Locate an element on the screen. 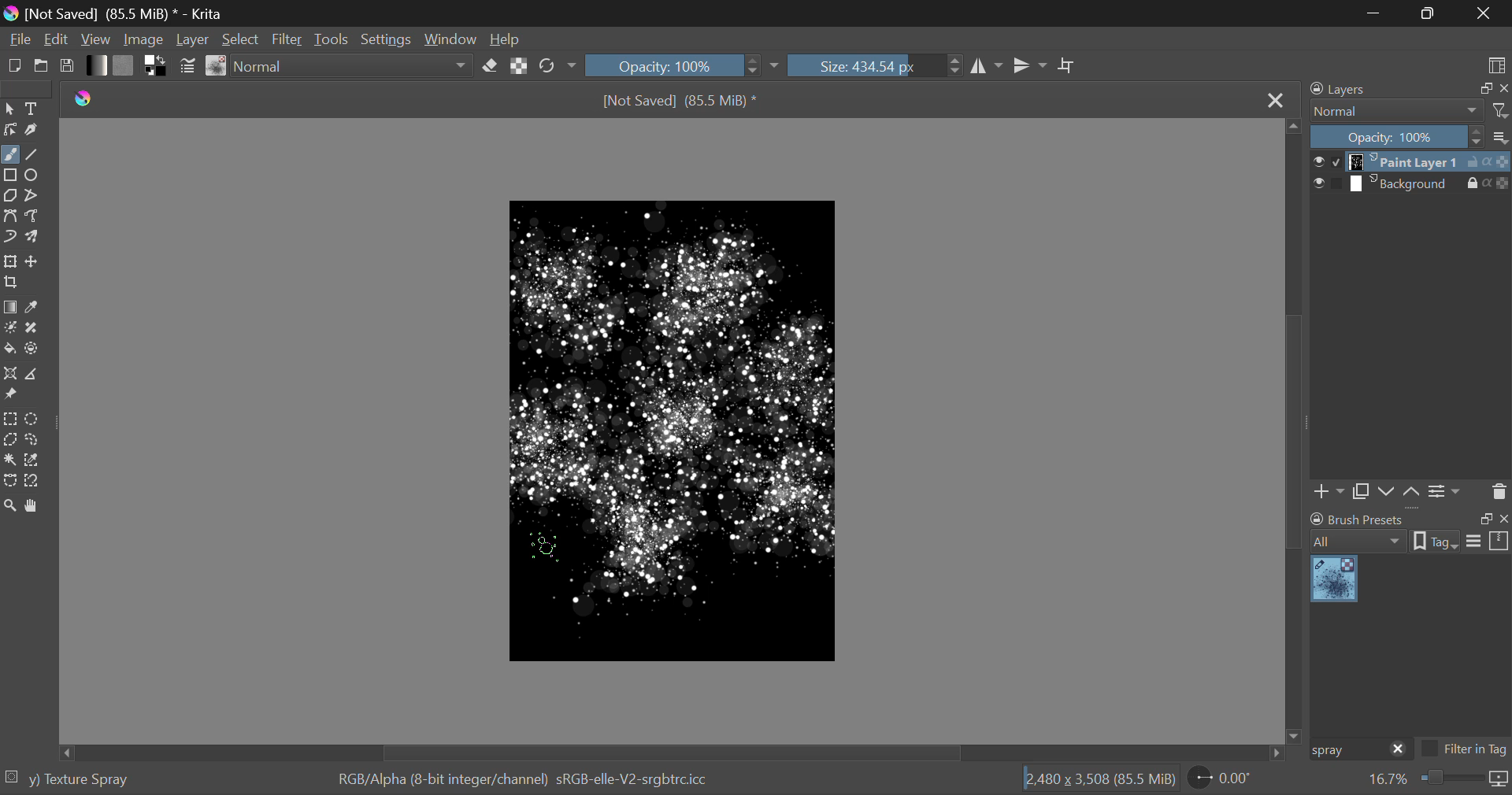 This screenshot has width=1512, height=795. checkbox is located at coordinates (1327, 184).